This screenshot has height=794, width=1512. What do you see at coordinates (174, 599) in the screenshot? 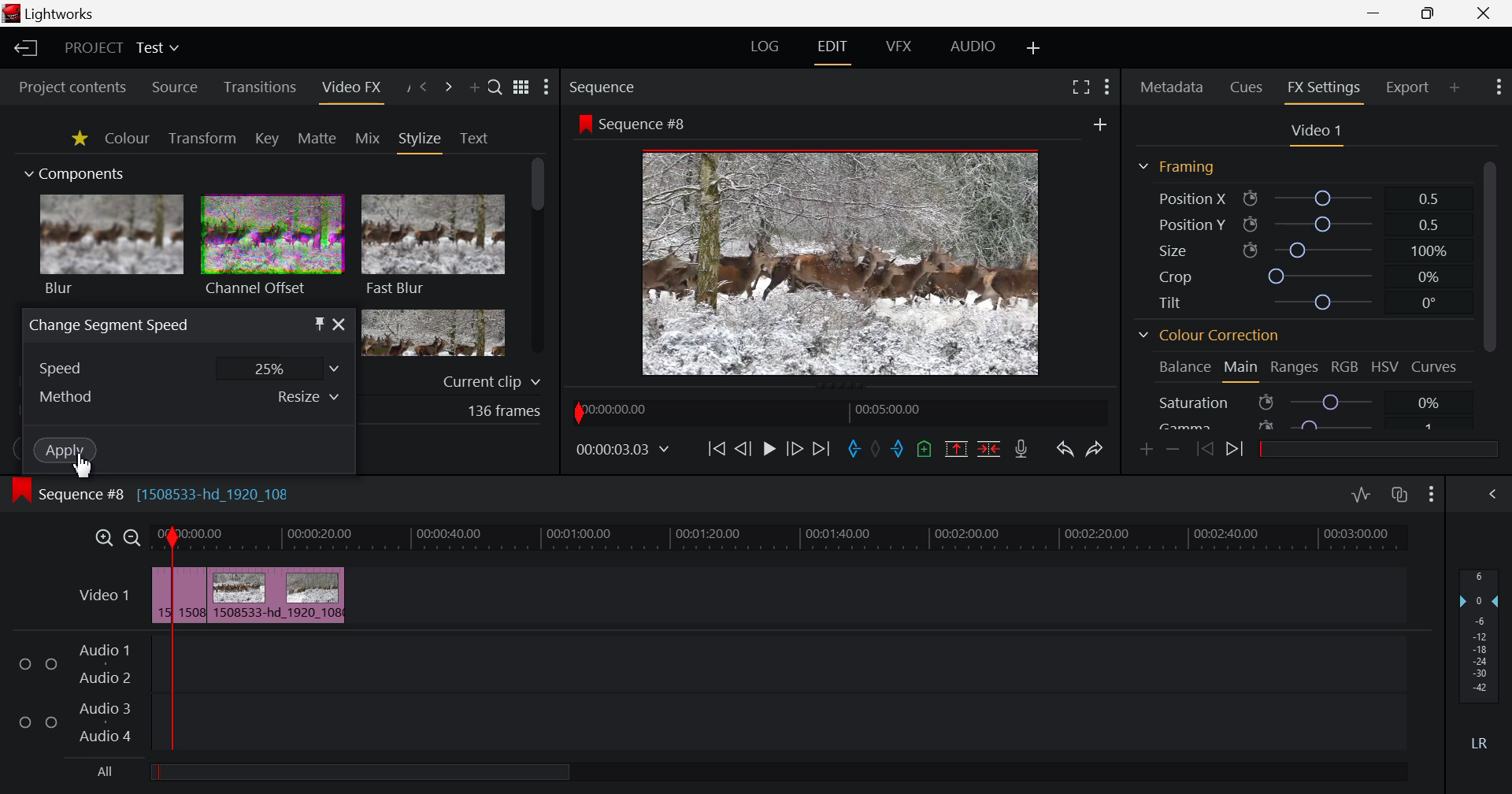
I see `First Clip Cut` at bounding box center [174, 599].